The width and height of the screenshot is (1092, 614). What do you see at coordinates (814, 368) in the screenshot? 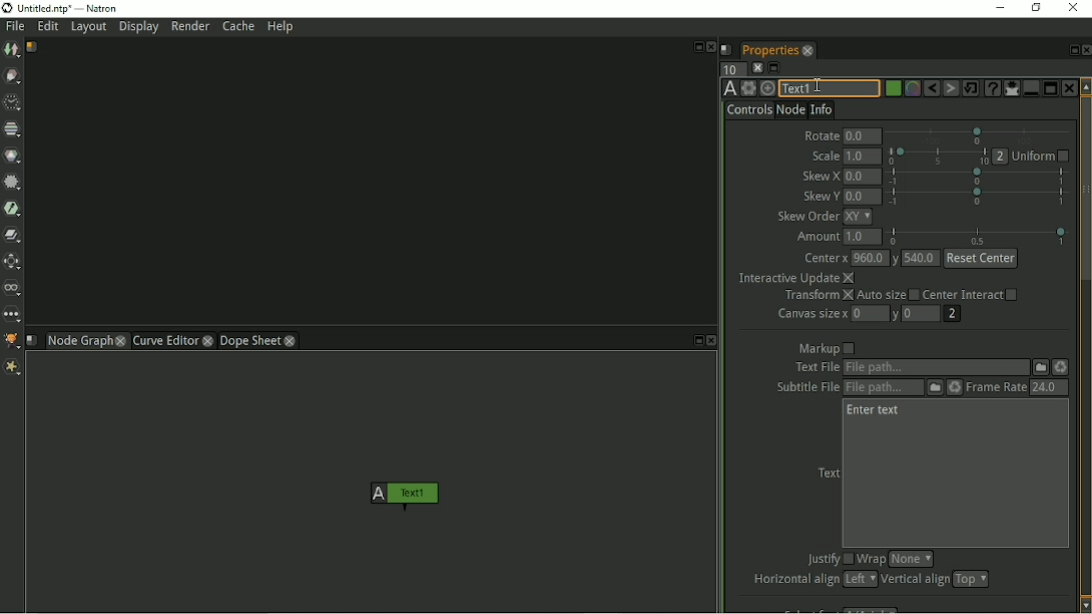
I see `Text File` at bounding box center [814, 368].